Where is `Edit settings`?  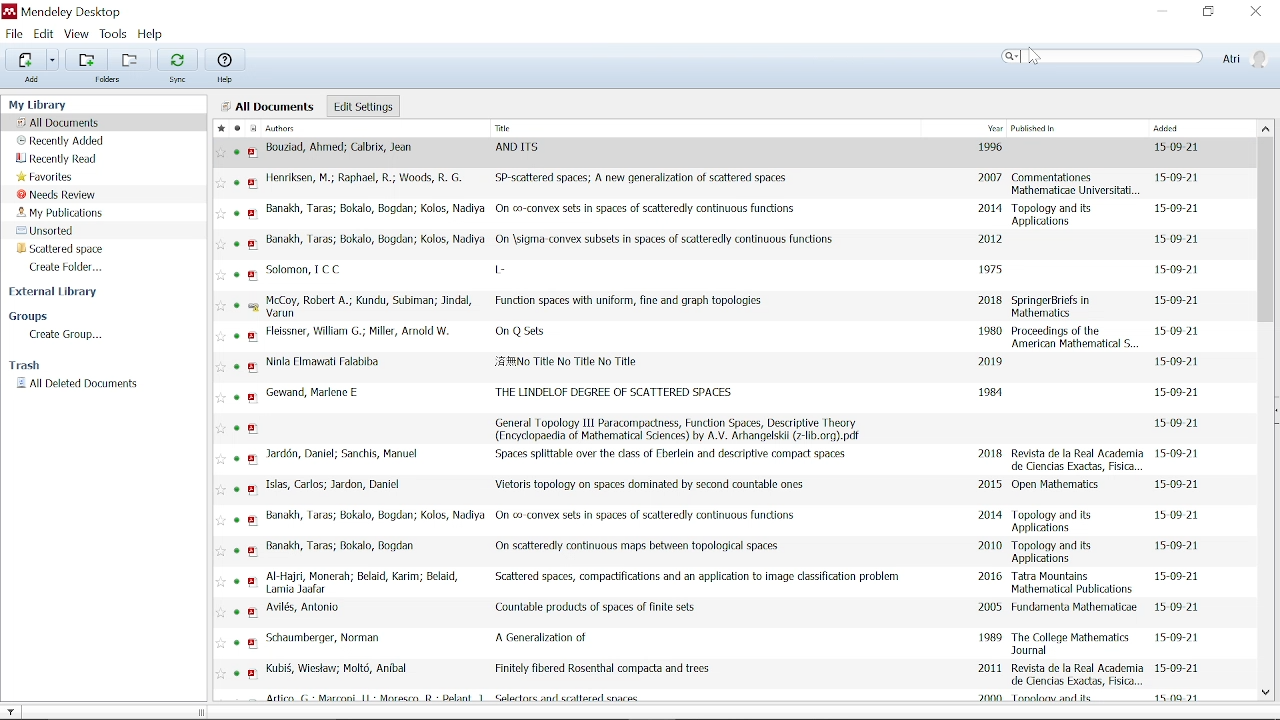
Edit settings is located at coordinates (362, 106).